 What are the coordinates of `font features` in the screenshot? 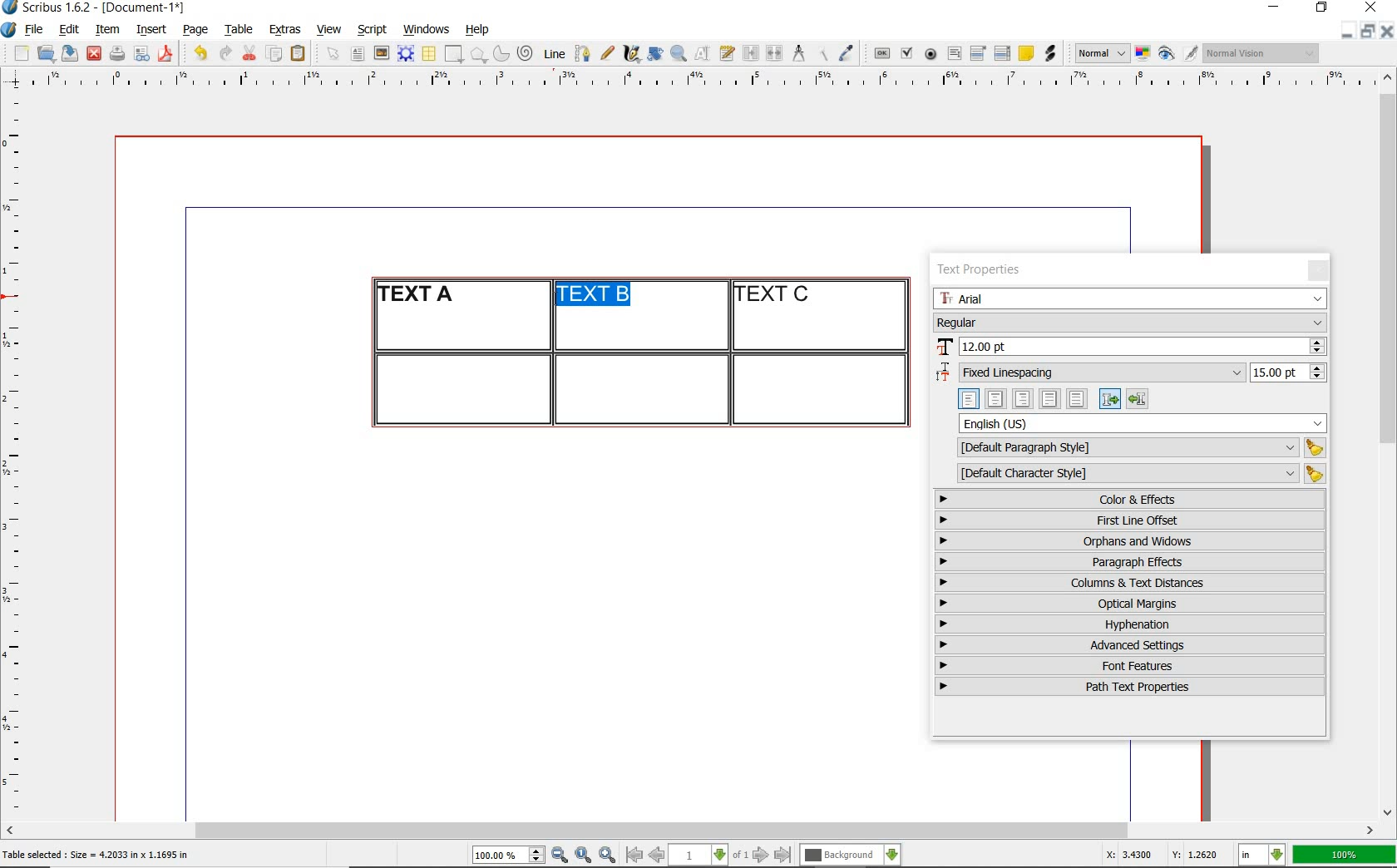 It's located at (1130, 665).